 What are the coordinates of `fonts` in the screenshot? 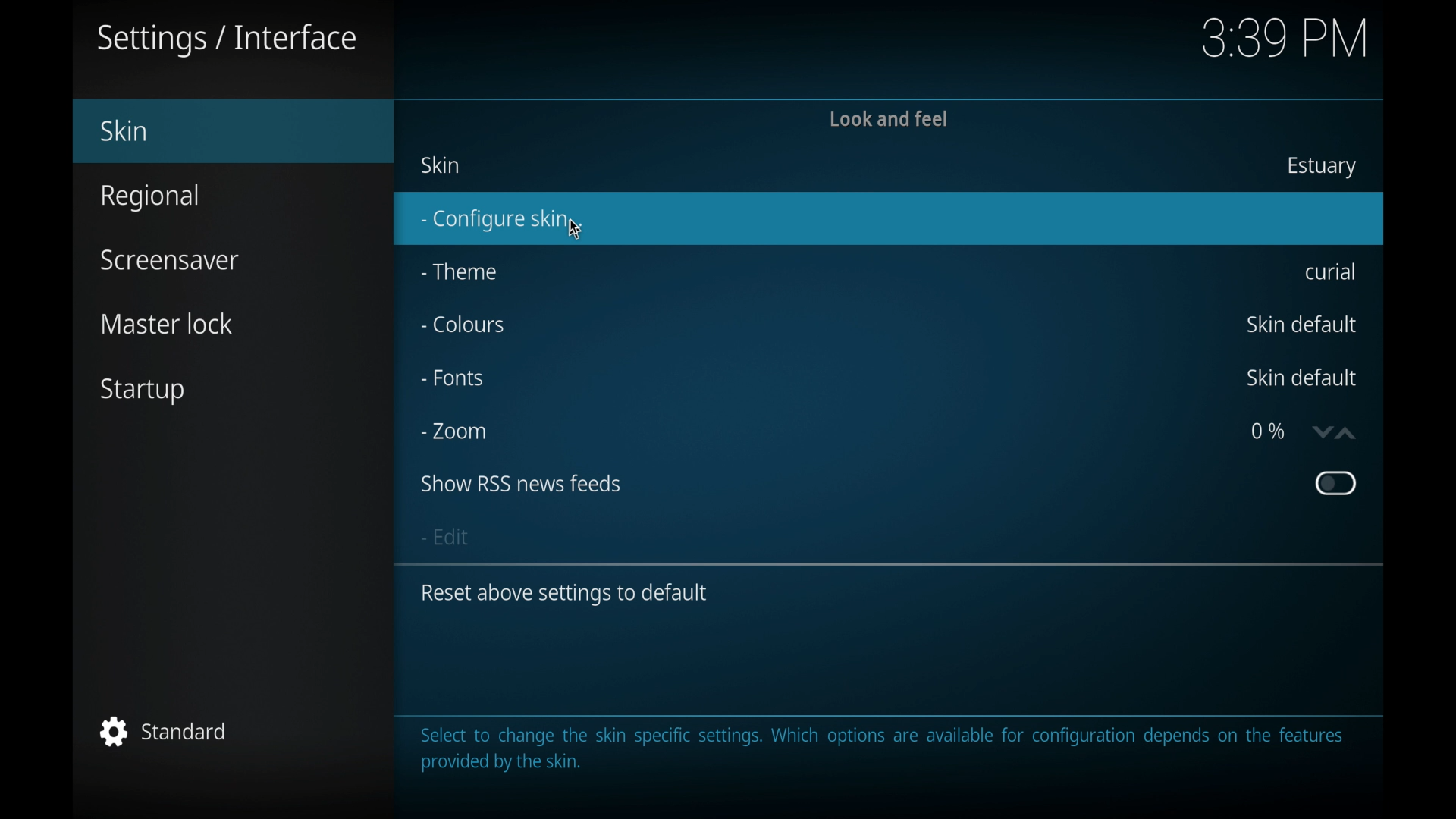 It's located at (450, 378).